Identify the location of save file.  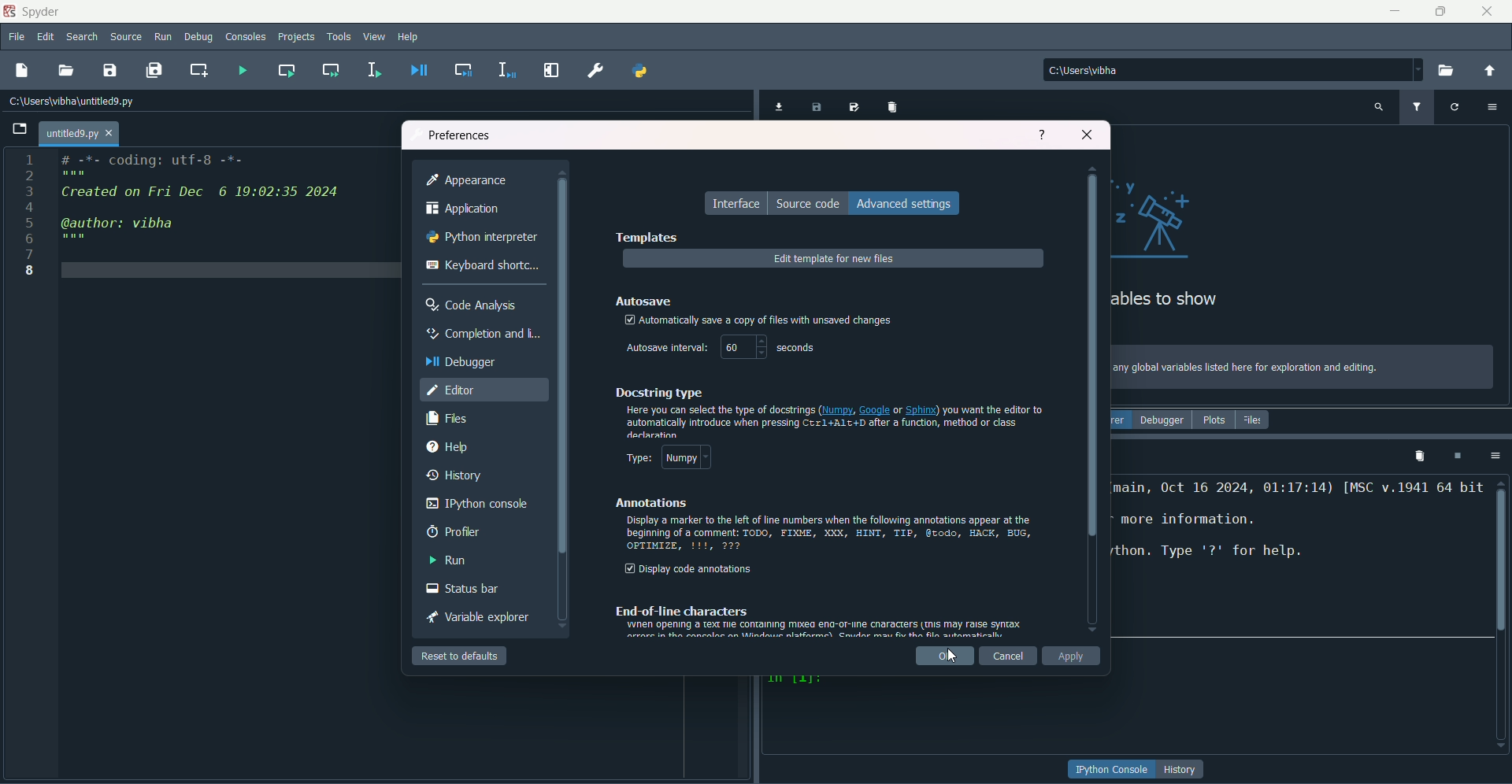
(110, 69).